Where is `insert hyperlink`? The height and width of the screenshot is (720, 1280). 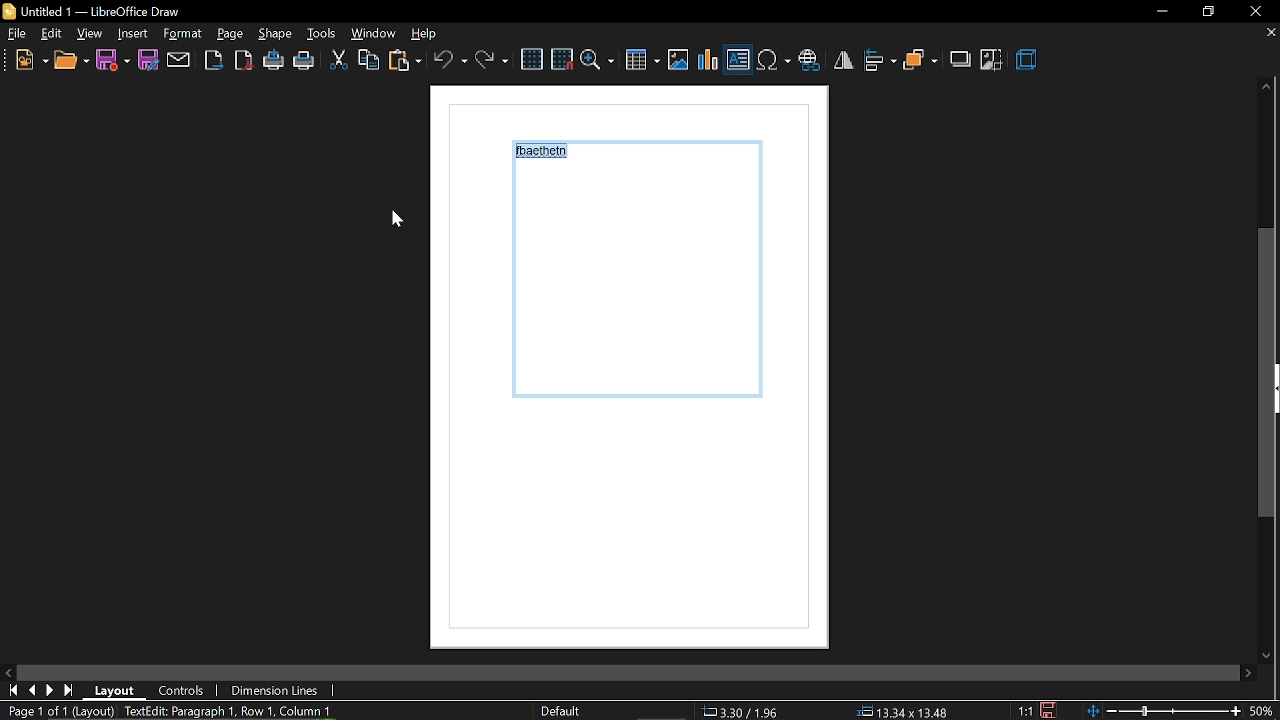
insert hyperlink is located at coordinates (809, 62).